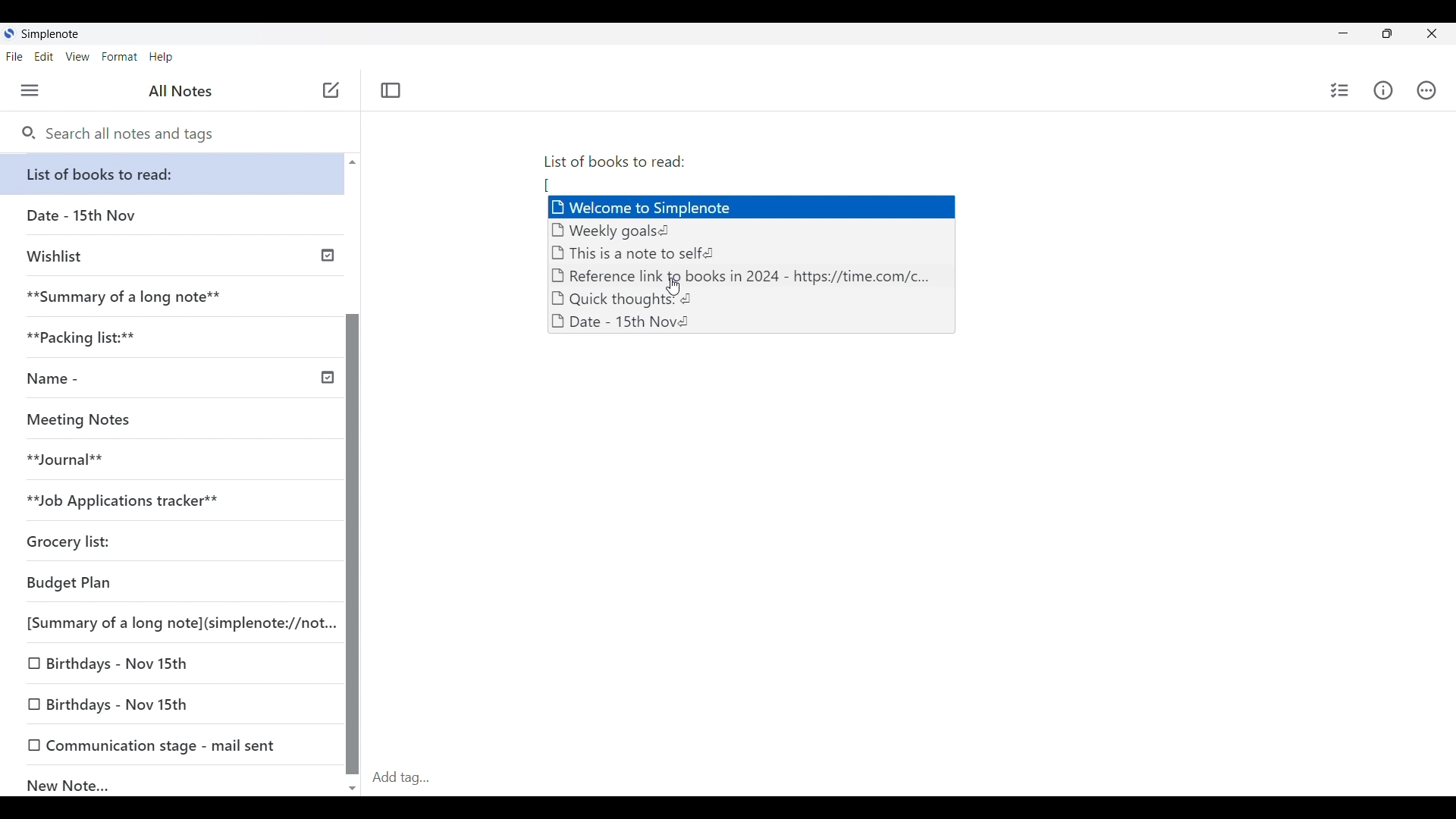 The width and height of the screenshot is (1456, 819). Describe the element at coordinates (1432, 34) in the screenshot. I see `Close` at that location.